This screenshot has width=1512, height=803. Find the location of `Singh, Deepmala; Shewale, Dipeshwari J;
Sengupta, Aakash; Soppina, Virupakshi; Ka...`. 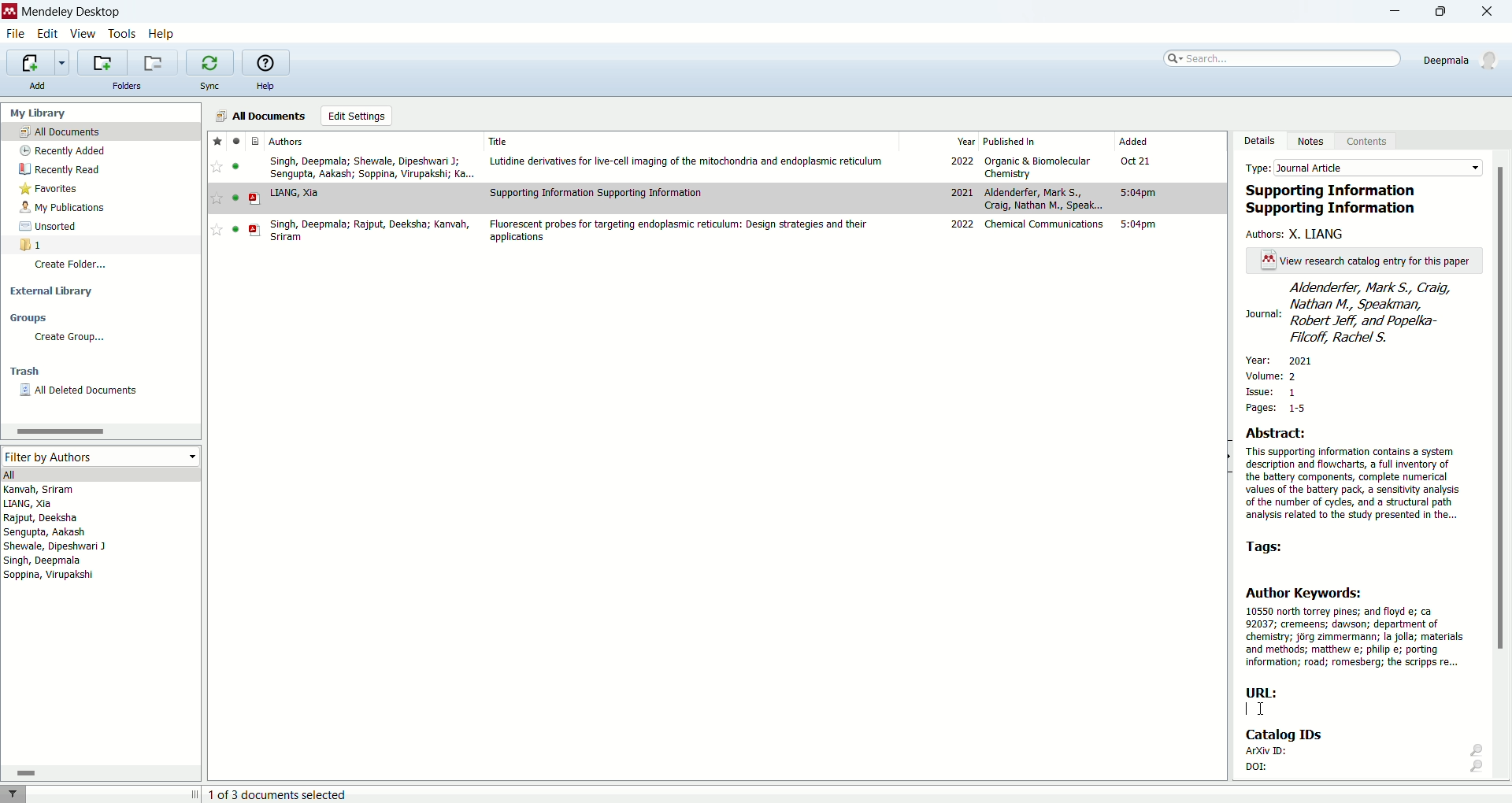

Singh, Deepmala; Shewale, Dipeshwari J;
Sengupta, Aakash; Soppina, Virupakshi; Ka... is located at coordinates (372, 168).